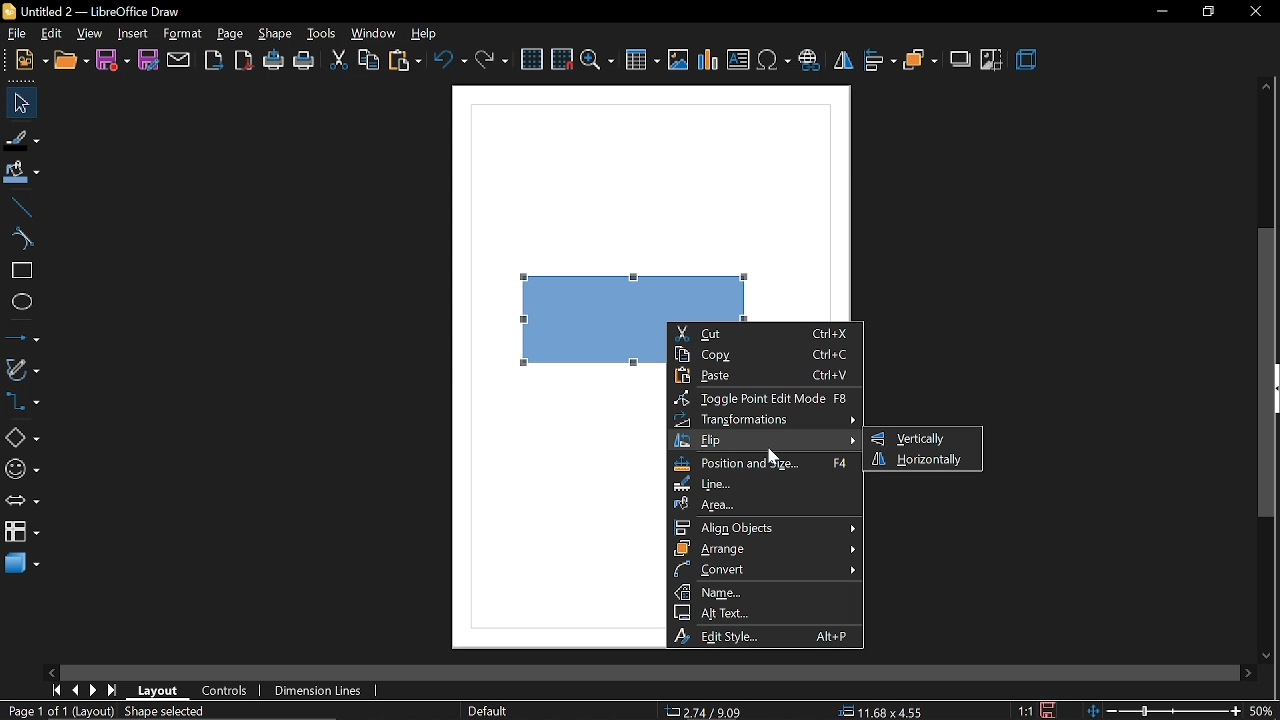 The height and width of the screenshot is (720, 1280). What do you see at coordinates (149, 61) in the screenshot?
I see `save as` at bounding box center [149, 61].